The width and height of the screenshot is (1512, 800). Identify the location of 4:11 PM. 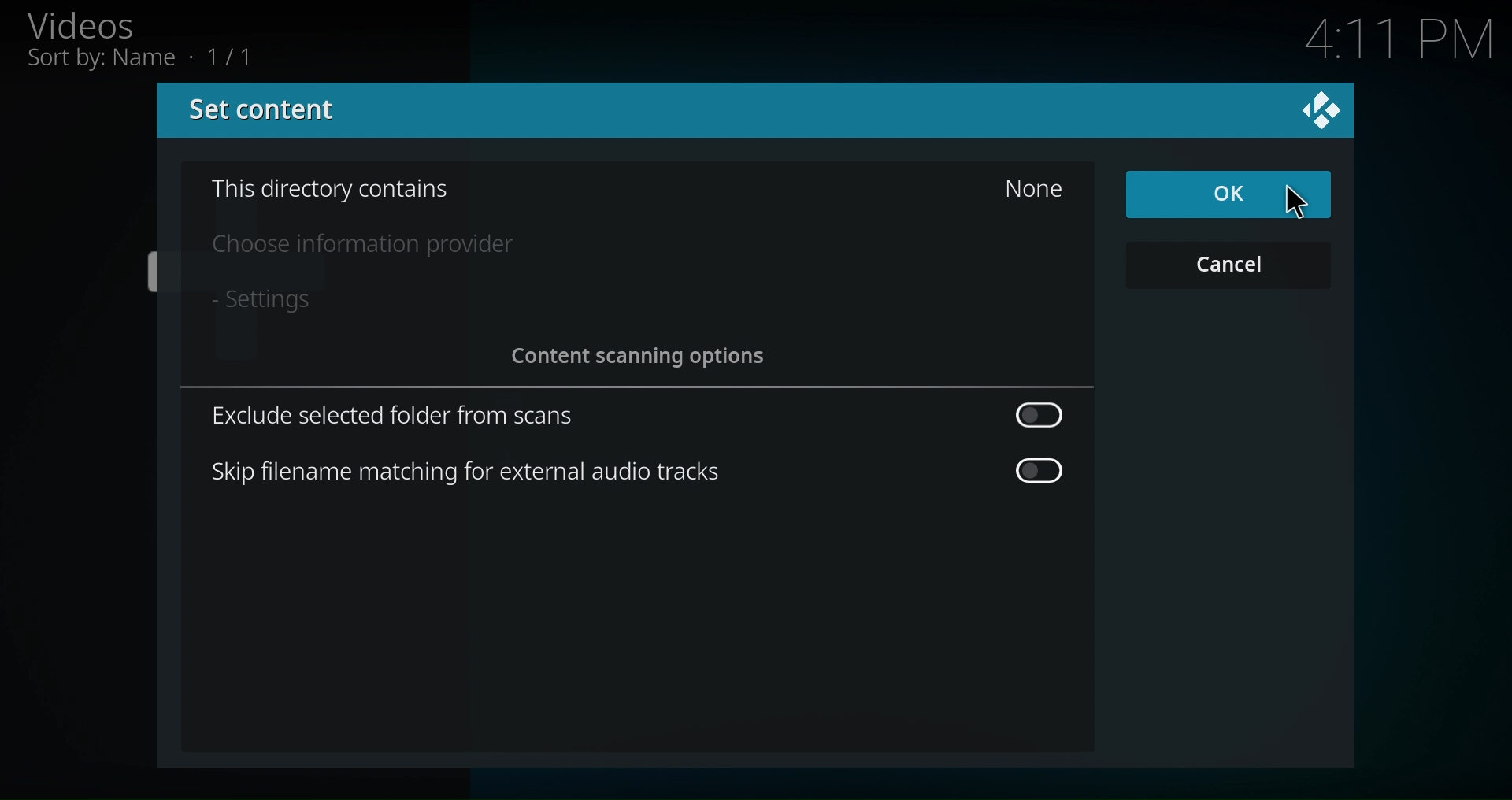
(1388, 40).